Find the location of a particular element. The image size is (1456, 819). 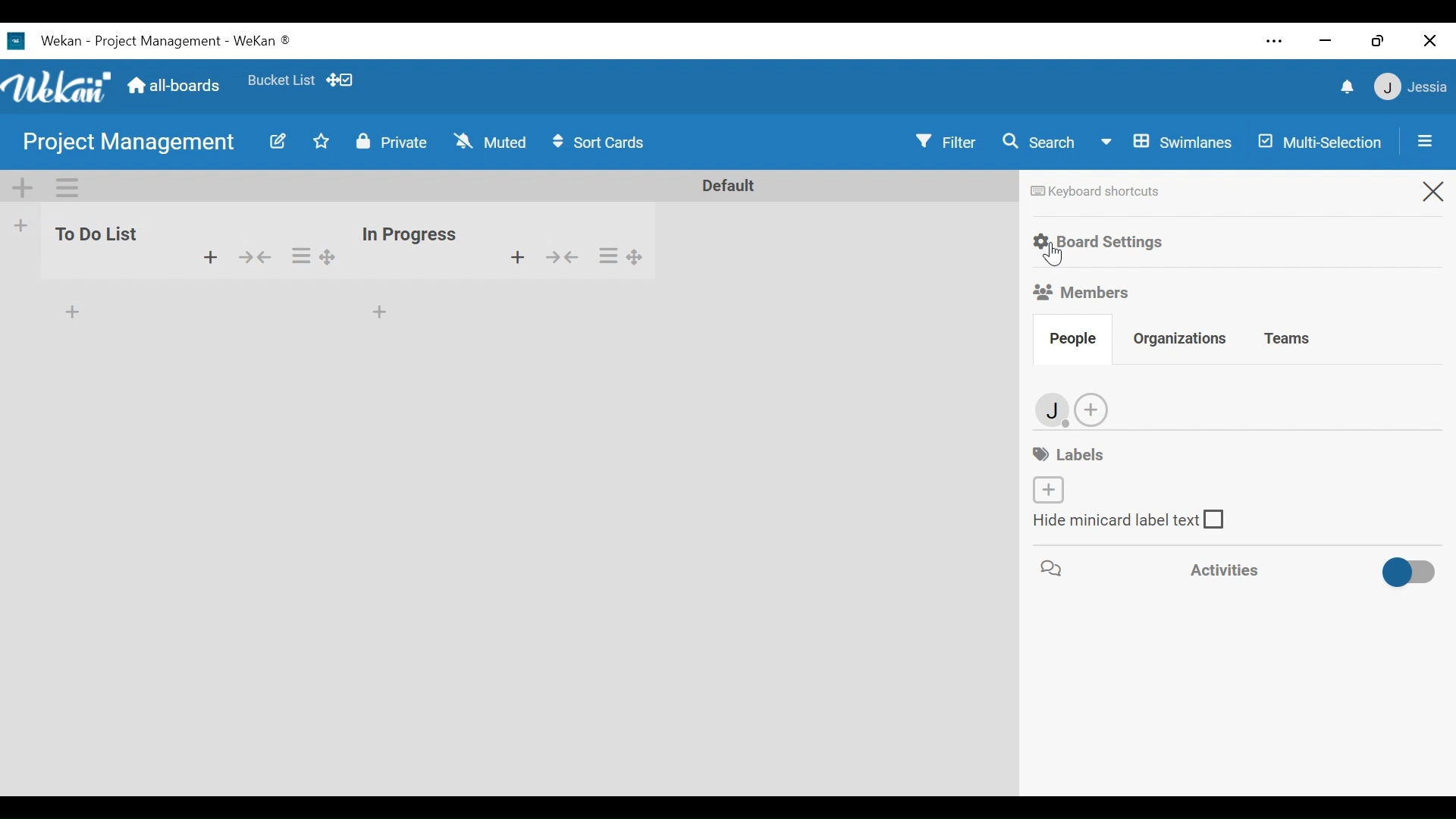

(un)select Hide minicard label text is located at coordinates (1131, 521).